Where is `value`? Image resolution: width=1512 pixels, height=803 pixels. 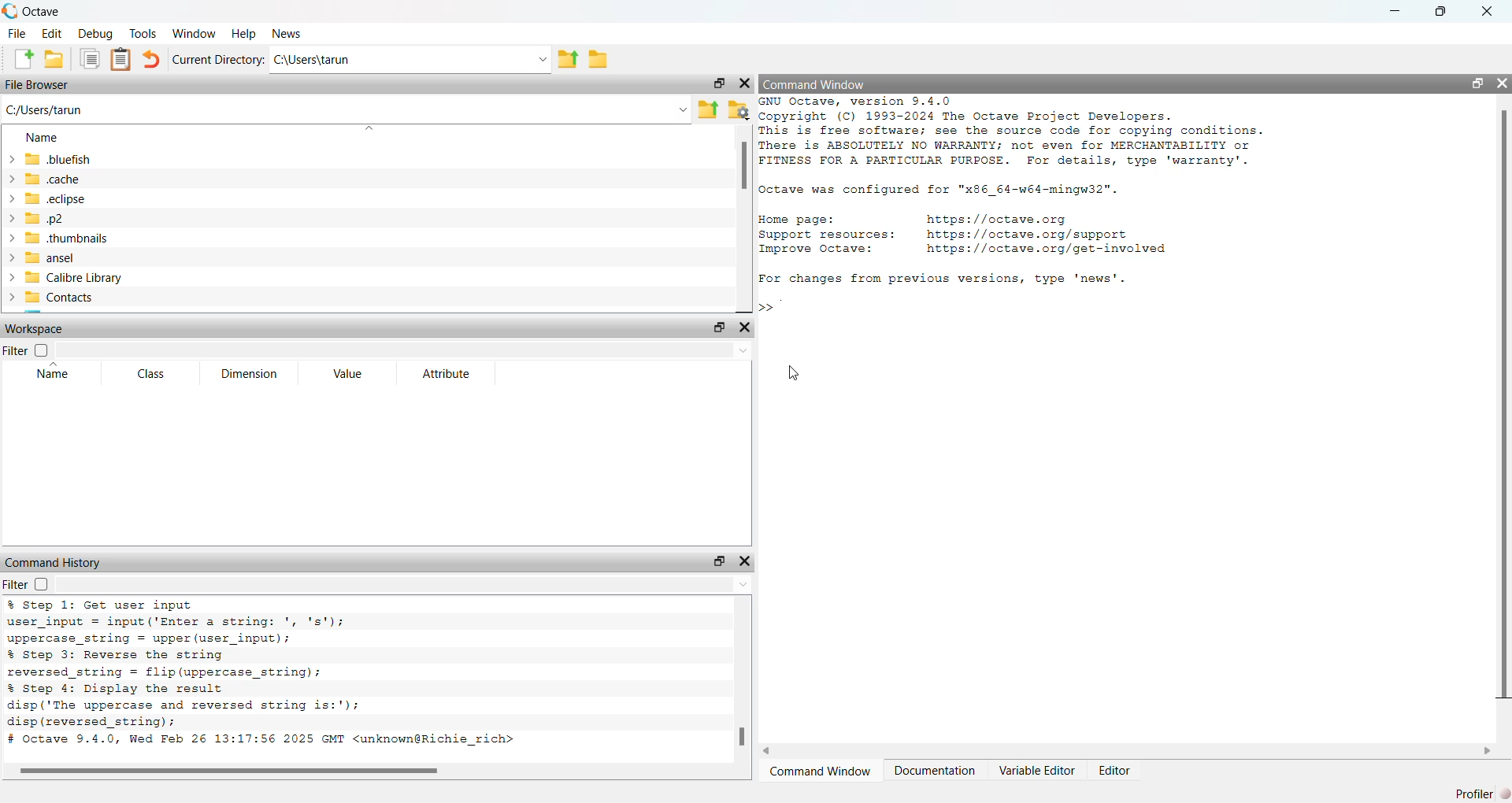
value is located at coordinates (350, 376).